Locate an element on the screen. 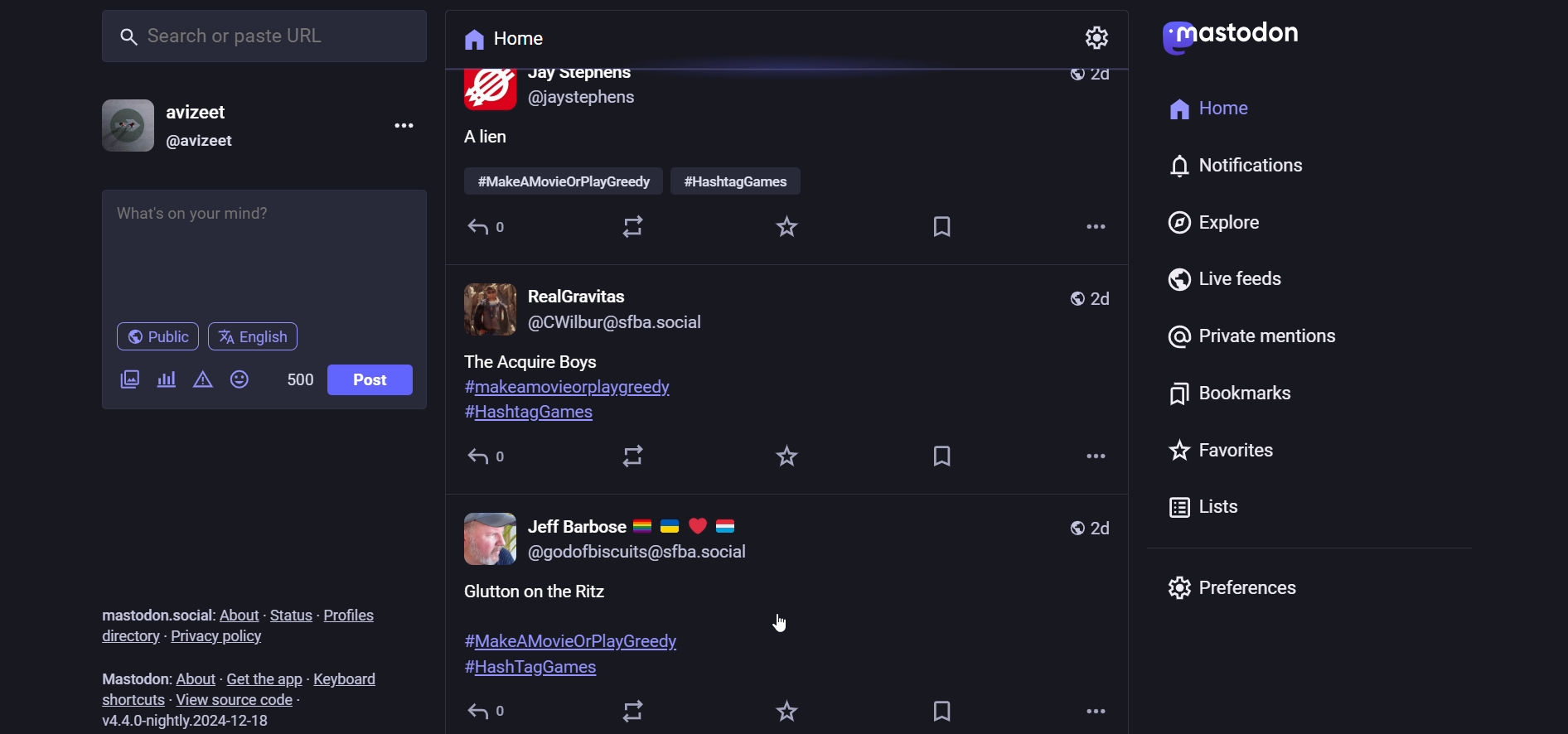  more is located at coordinates (1095, 228).